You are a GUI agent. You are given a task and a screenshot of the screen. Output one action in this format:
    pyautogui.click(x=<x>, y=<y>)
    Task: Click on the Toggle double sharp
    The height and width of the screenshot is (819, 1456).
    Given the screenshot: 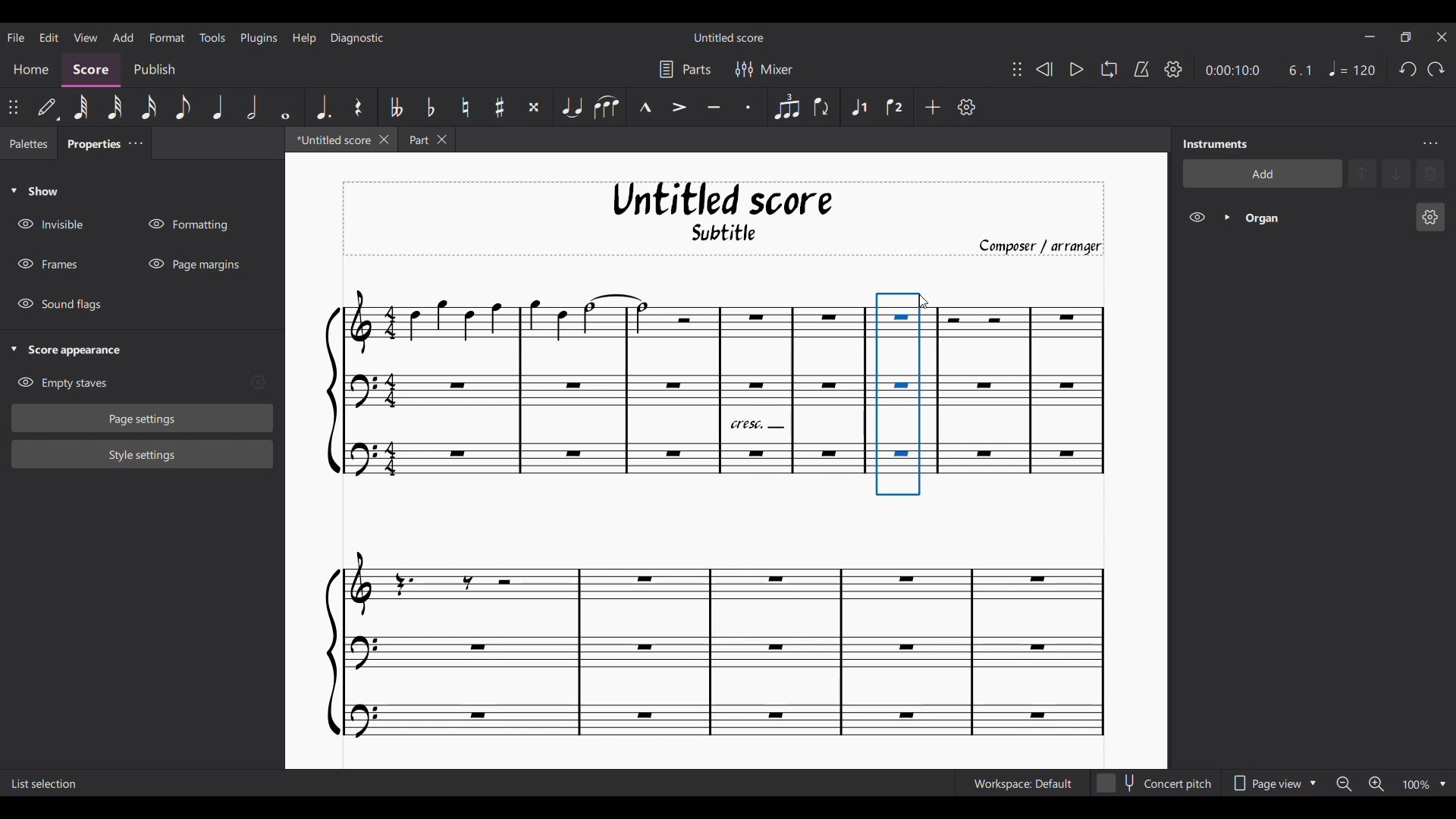 What is the action you would take?
    pyautogui.click(x=532, y=107)
    